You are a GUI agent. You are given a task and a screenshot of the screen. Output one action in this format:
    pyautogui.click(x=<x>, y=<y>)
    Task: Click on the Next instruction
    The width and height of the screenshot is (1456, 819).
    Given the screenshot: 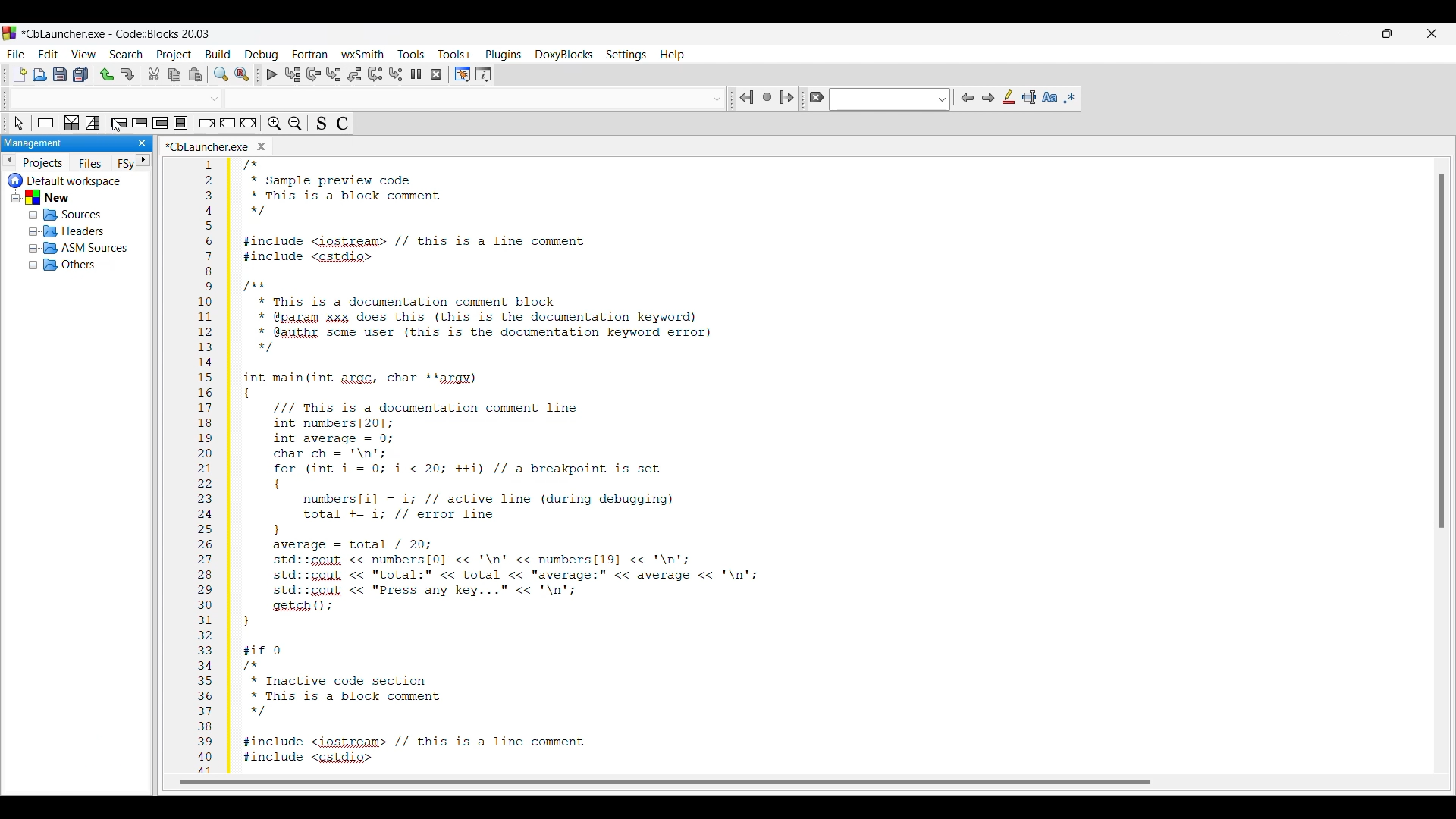 What is the action you would take?
    pyautogui.click(x=375, y=74)
    